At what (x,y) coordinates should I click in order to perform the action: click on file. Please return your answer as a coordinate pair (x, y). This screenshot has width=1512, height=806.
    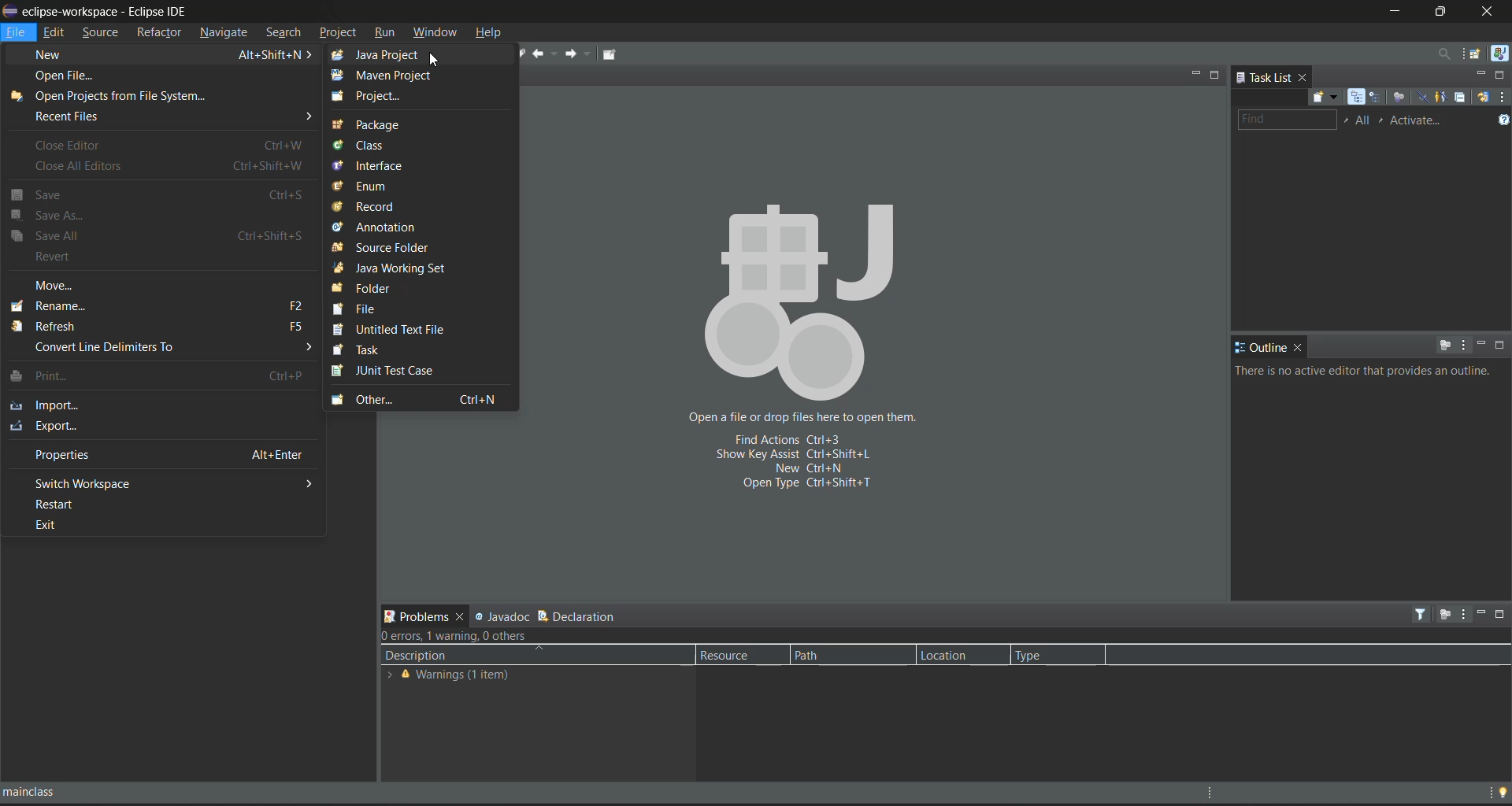
    Looking at the image, I should click on (16, 31).